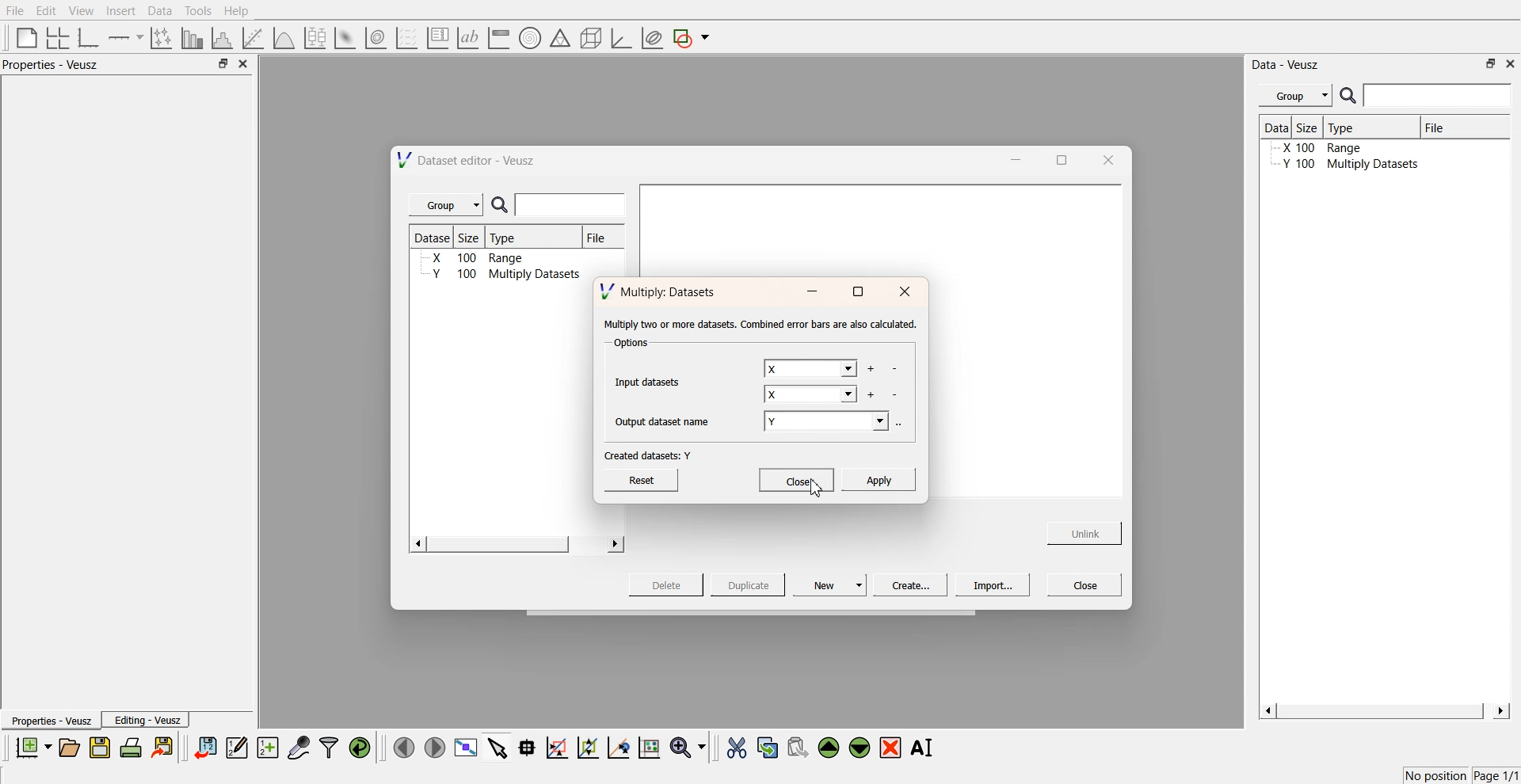 This screenshot has height=784, width=1521. Describe the element at coordinates (811, 292) in the screenshot. I see `minimise` at that location.